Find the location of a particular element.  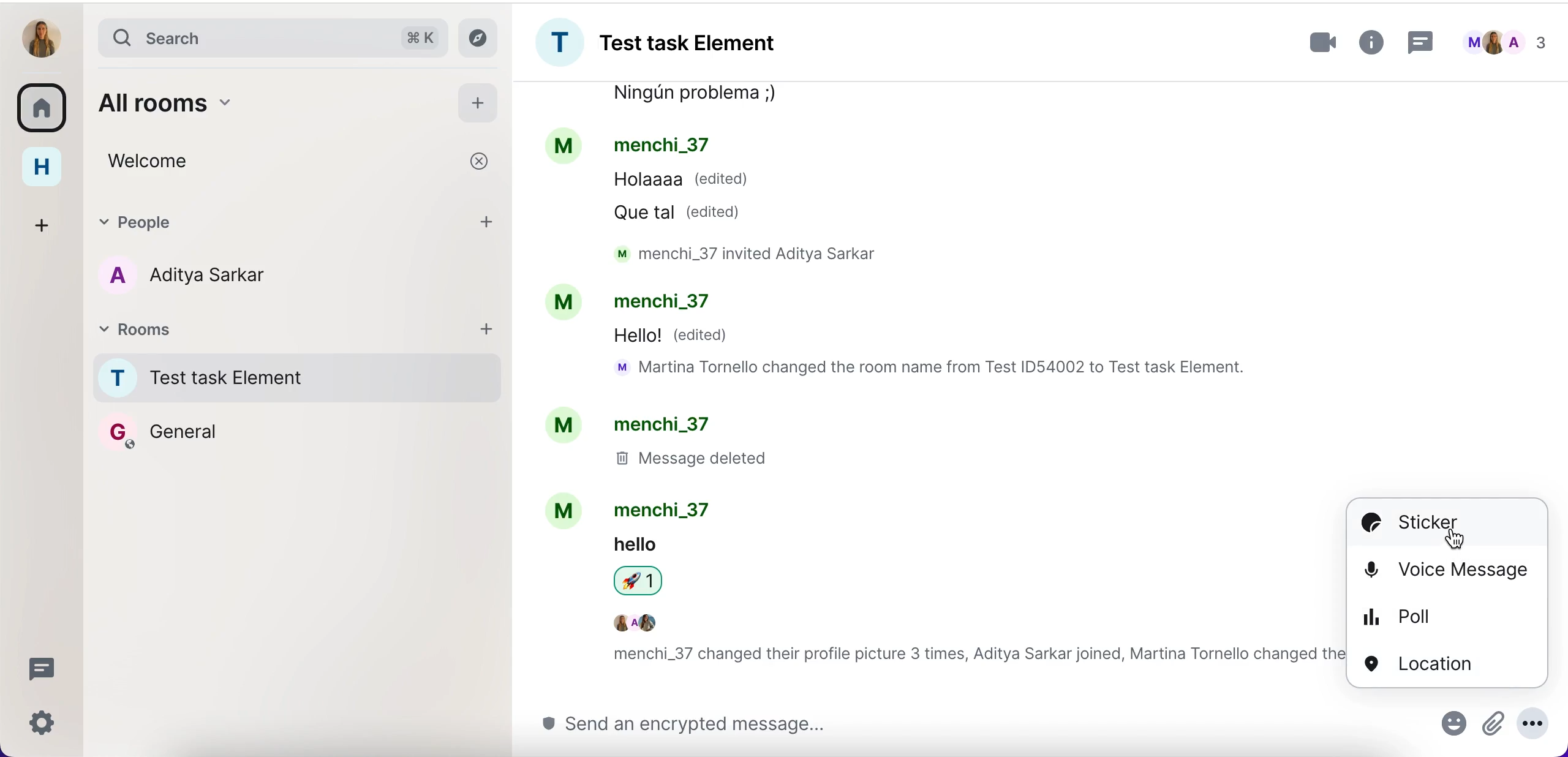

cancel is located at coordinates (481, 164).